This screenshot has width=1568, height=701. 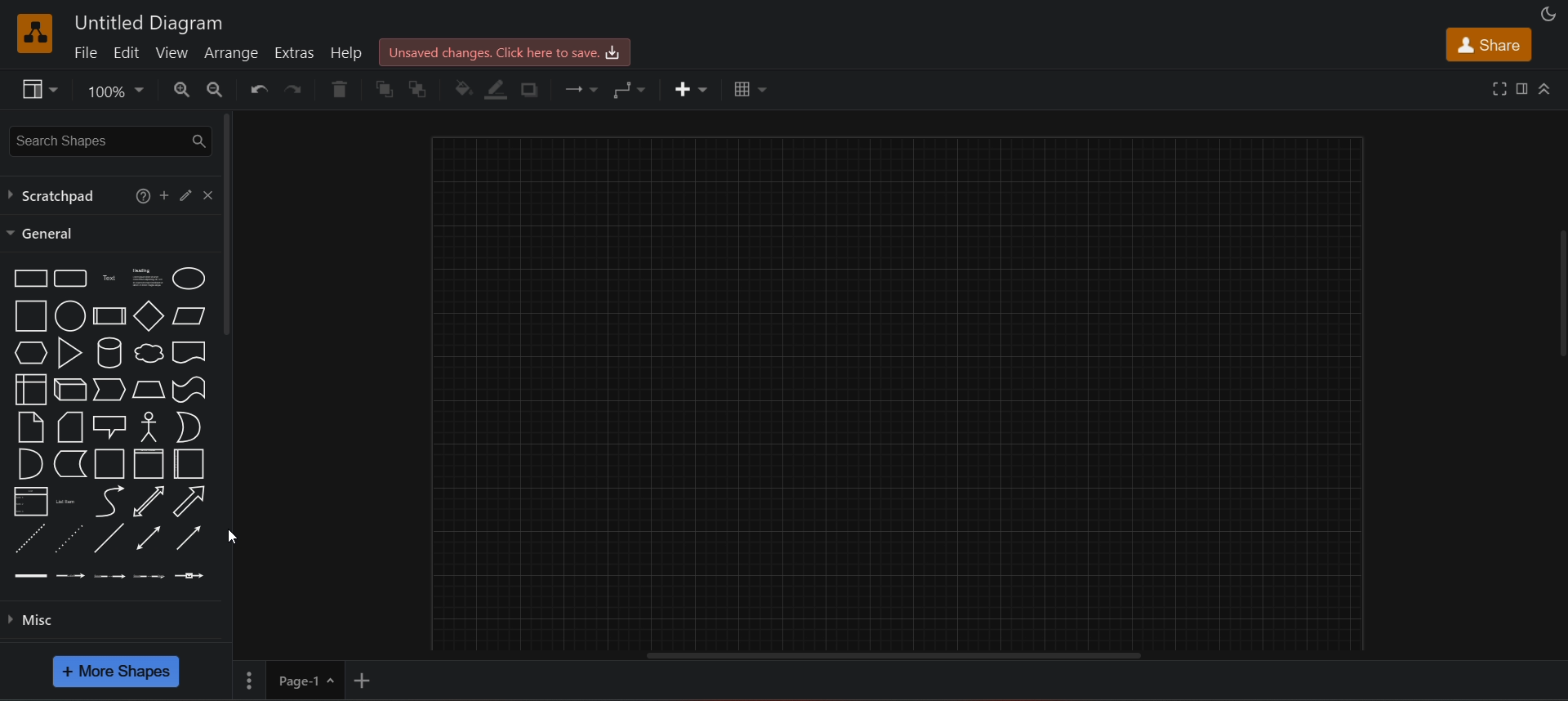 I want to click on connector with symbol, so click(x=189, y=574).